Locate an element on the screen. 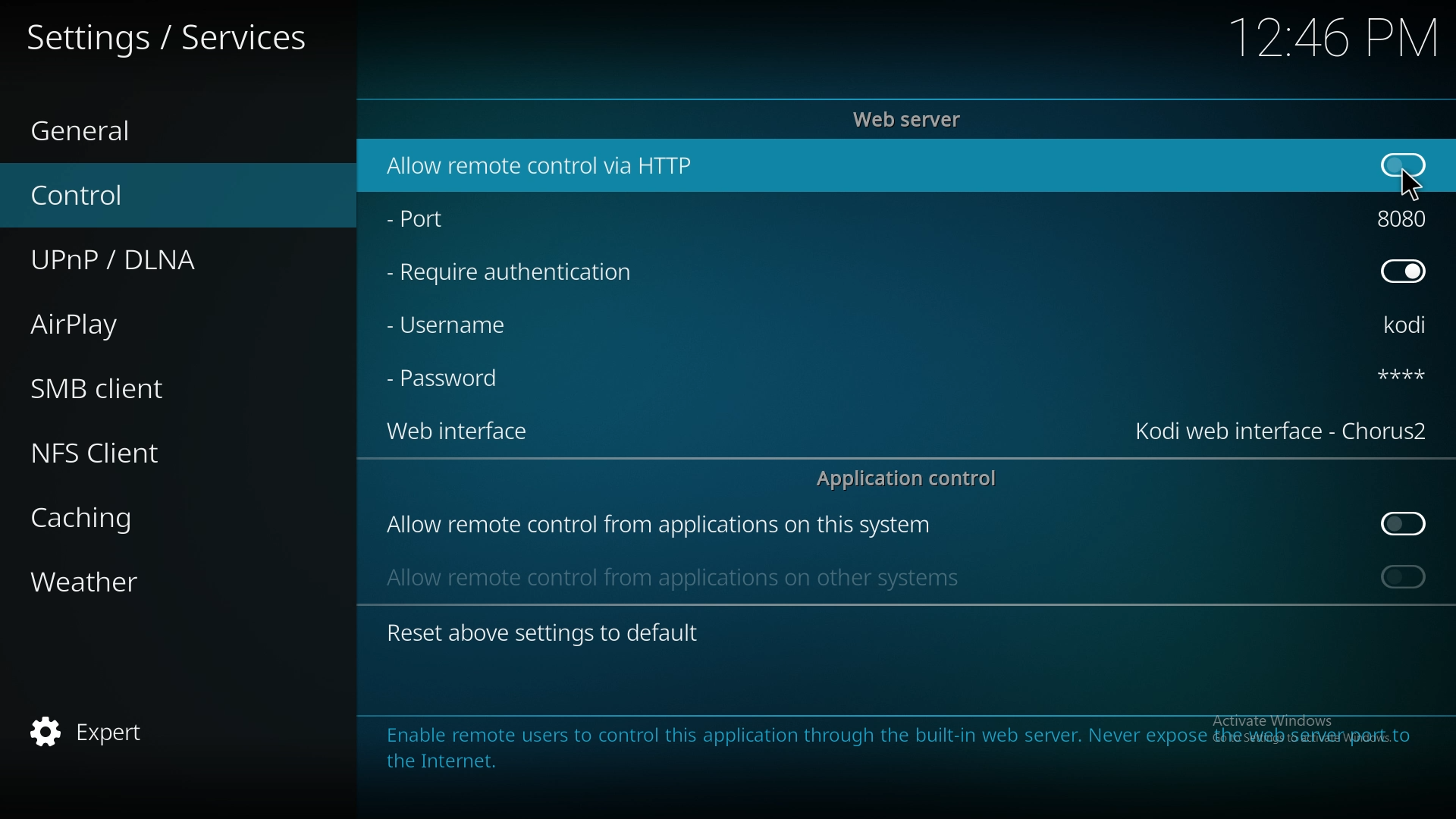  weather is located at coordinates (138, 585).